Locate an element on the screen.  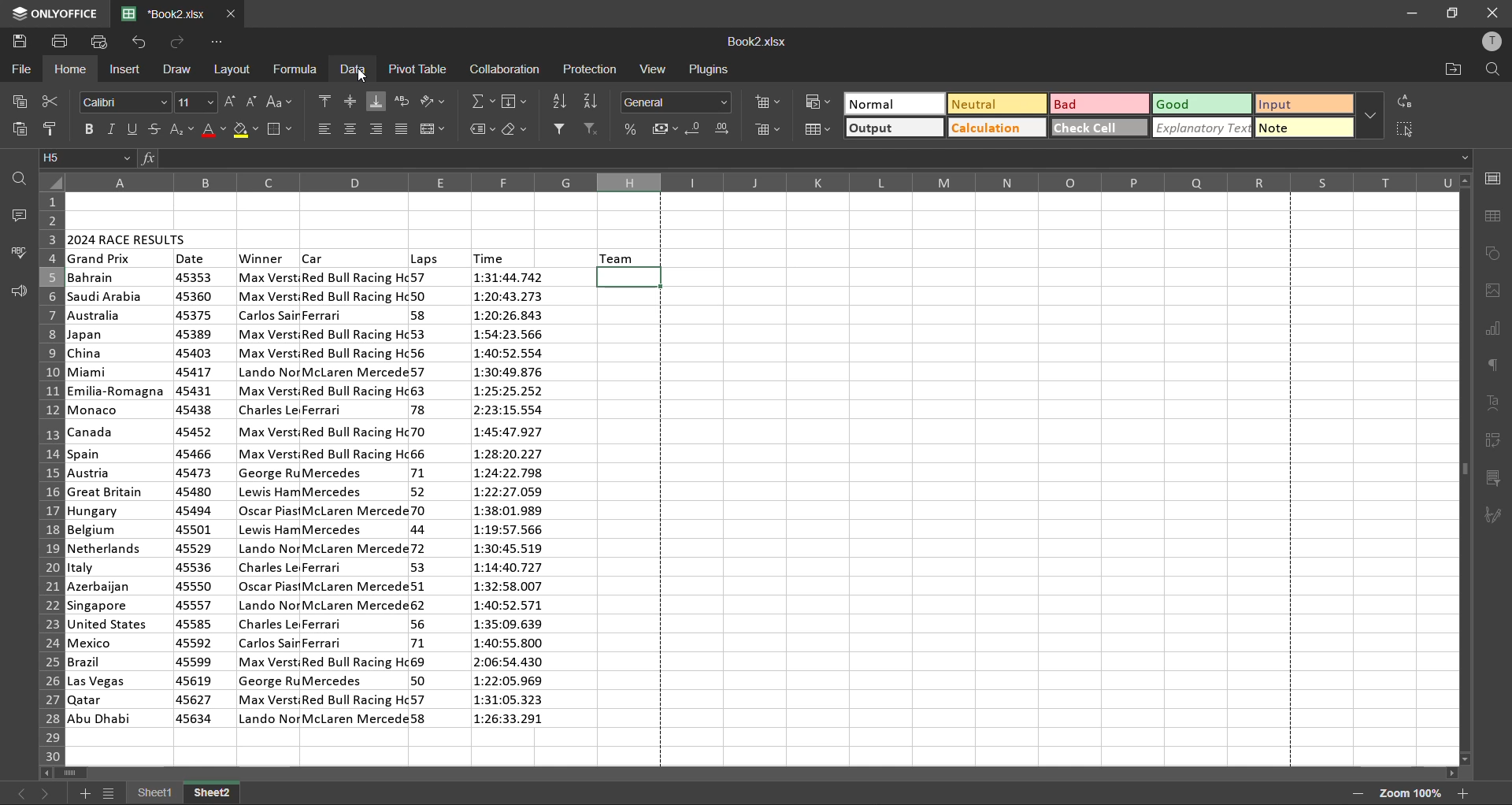
italic is located at coordinates (111, 126).